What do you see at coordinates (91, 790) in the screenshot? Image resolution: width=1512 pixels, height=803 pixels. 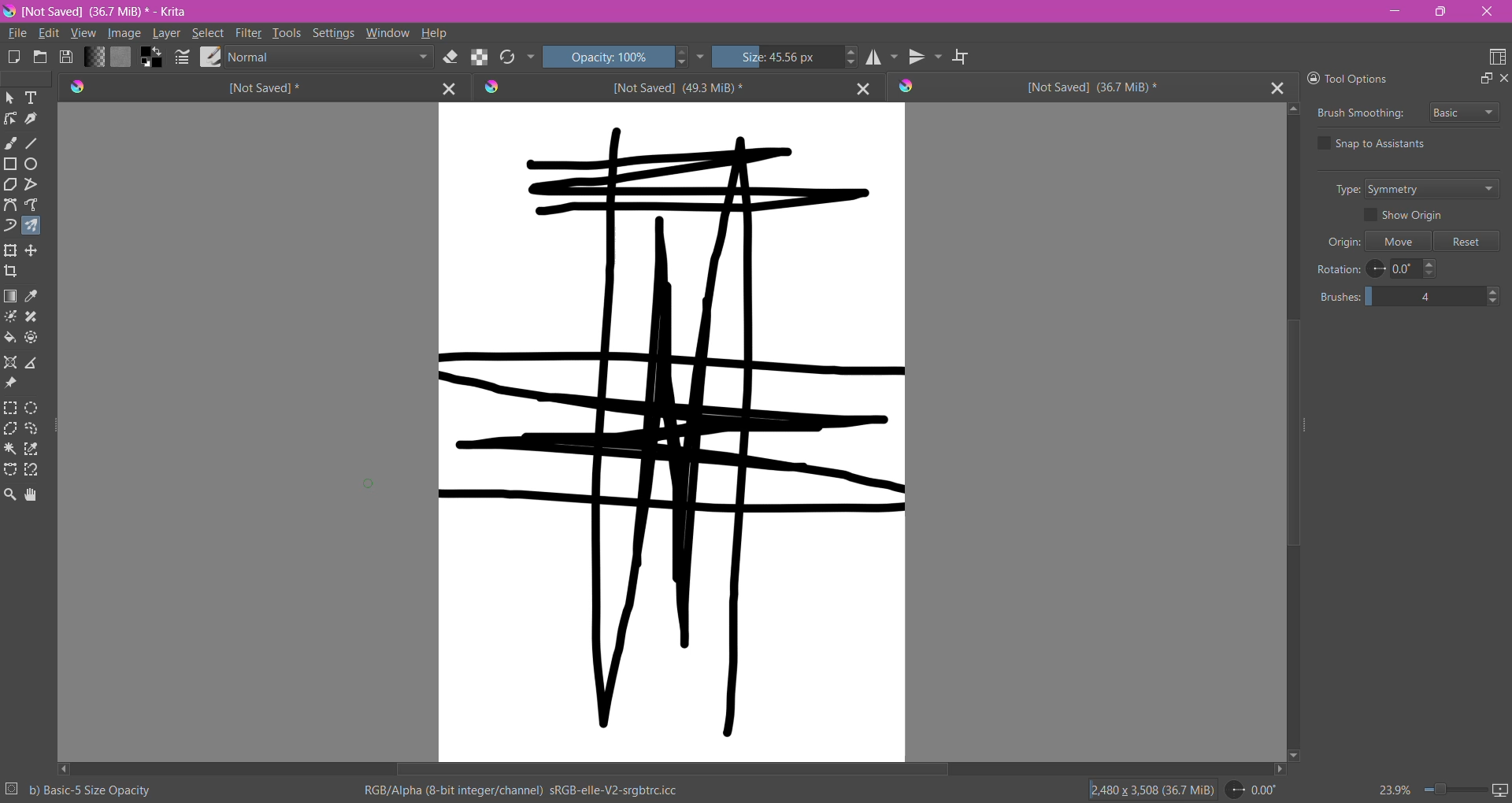 I see `Selected Brush Preset` at bounding box center [91, 790].